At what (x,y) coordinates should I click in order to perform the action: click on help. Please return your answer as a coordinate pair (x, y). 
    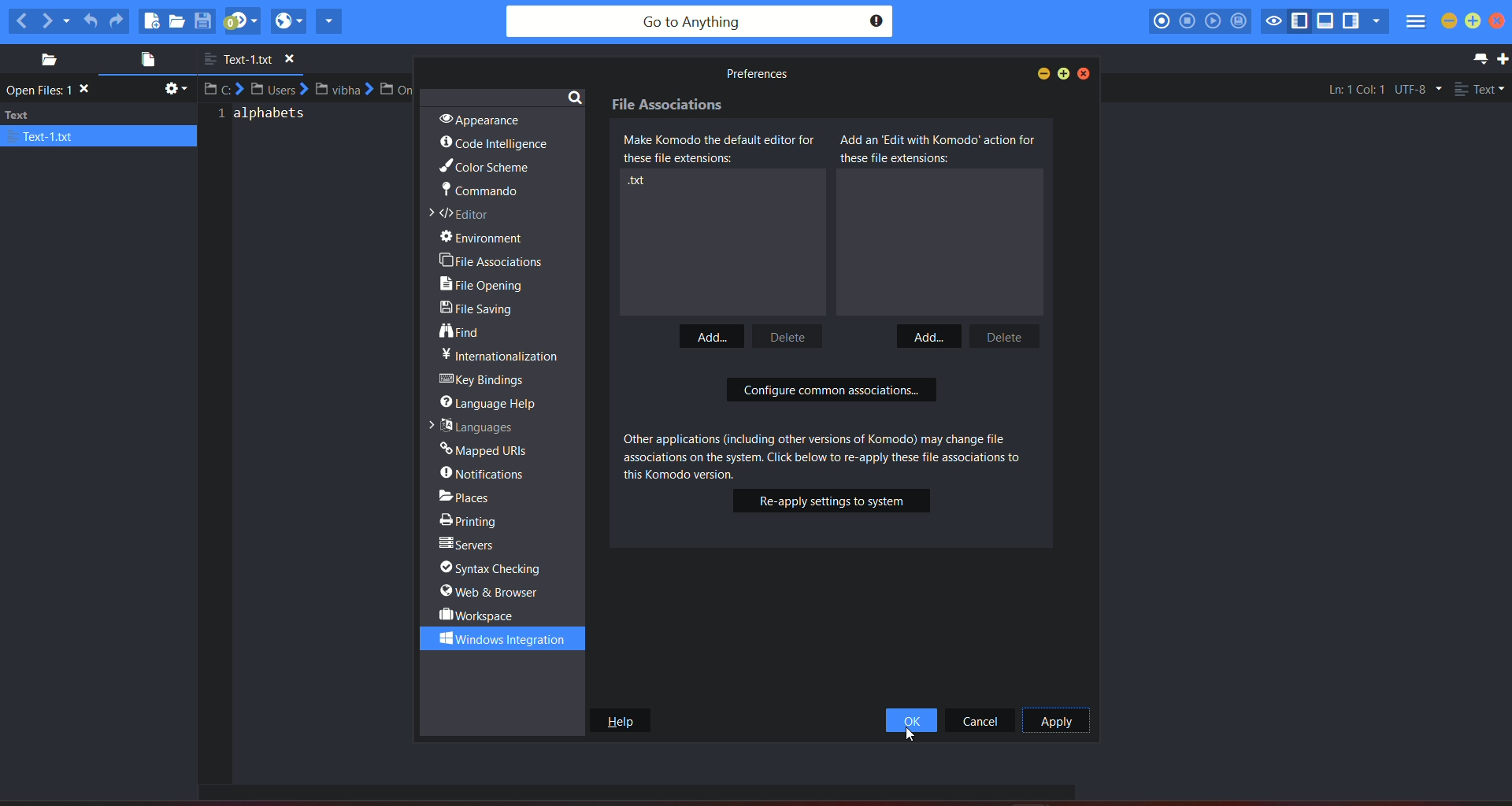
    Looking at the image, I should click on (619, 720).